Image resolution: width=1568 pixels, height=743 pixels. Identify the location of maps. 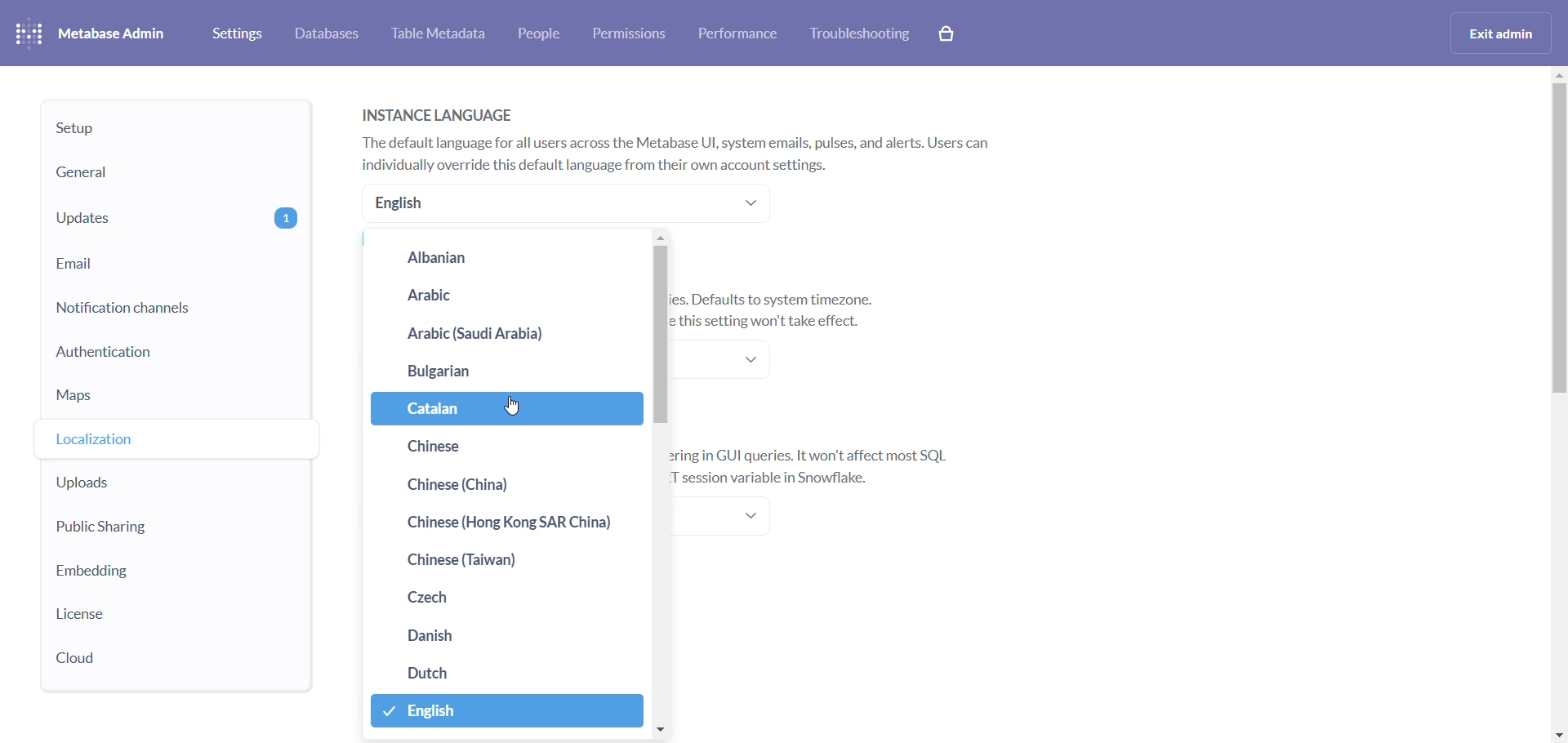
(166, 398).